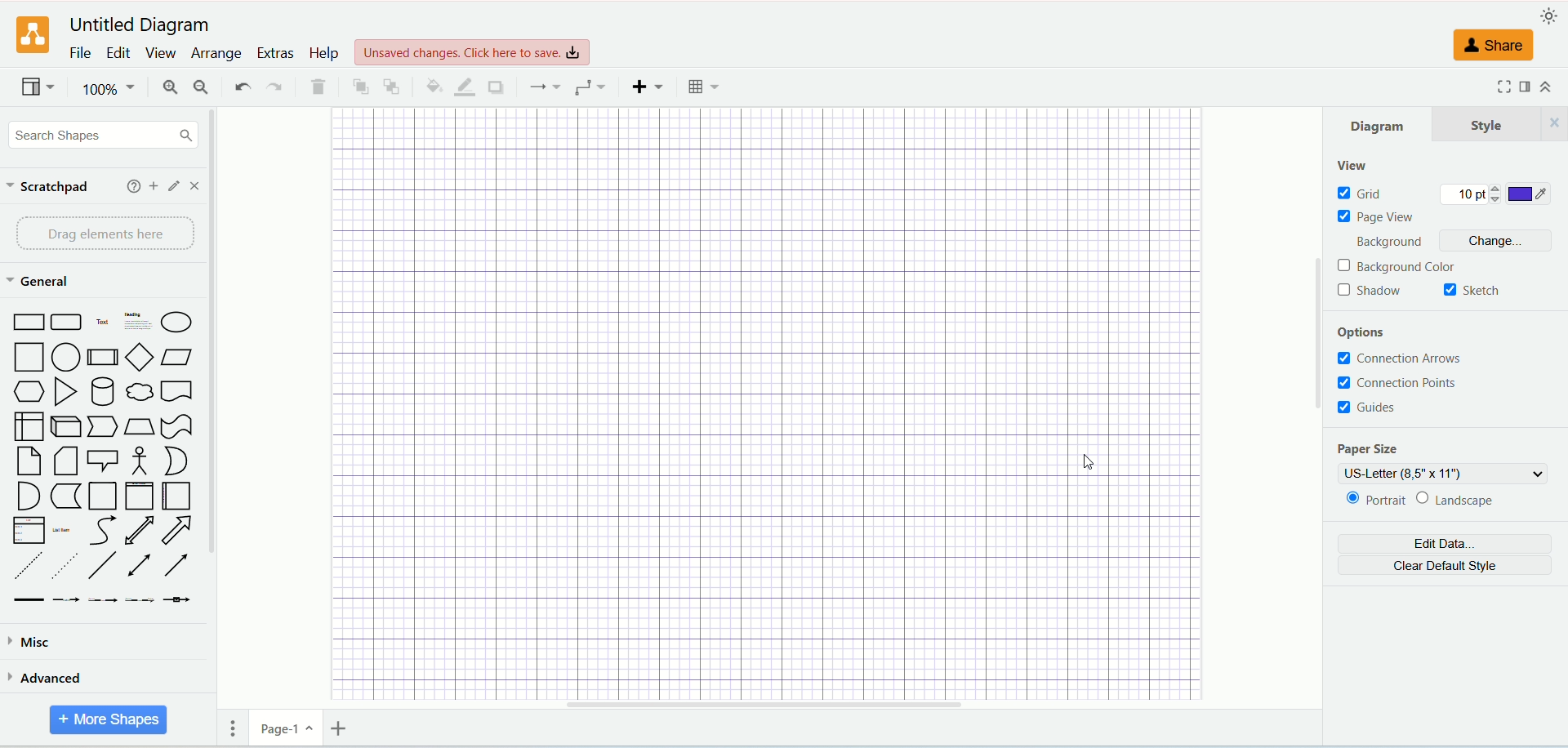 This screenshot has height=748, width=1568. What do you see at coordinates (109, 720) in the screenshot?
I see `more shapes` at bounding box center [109, 720].